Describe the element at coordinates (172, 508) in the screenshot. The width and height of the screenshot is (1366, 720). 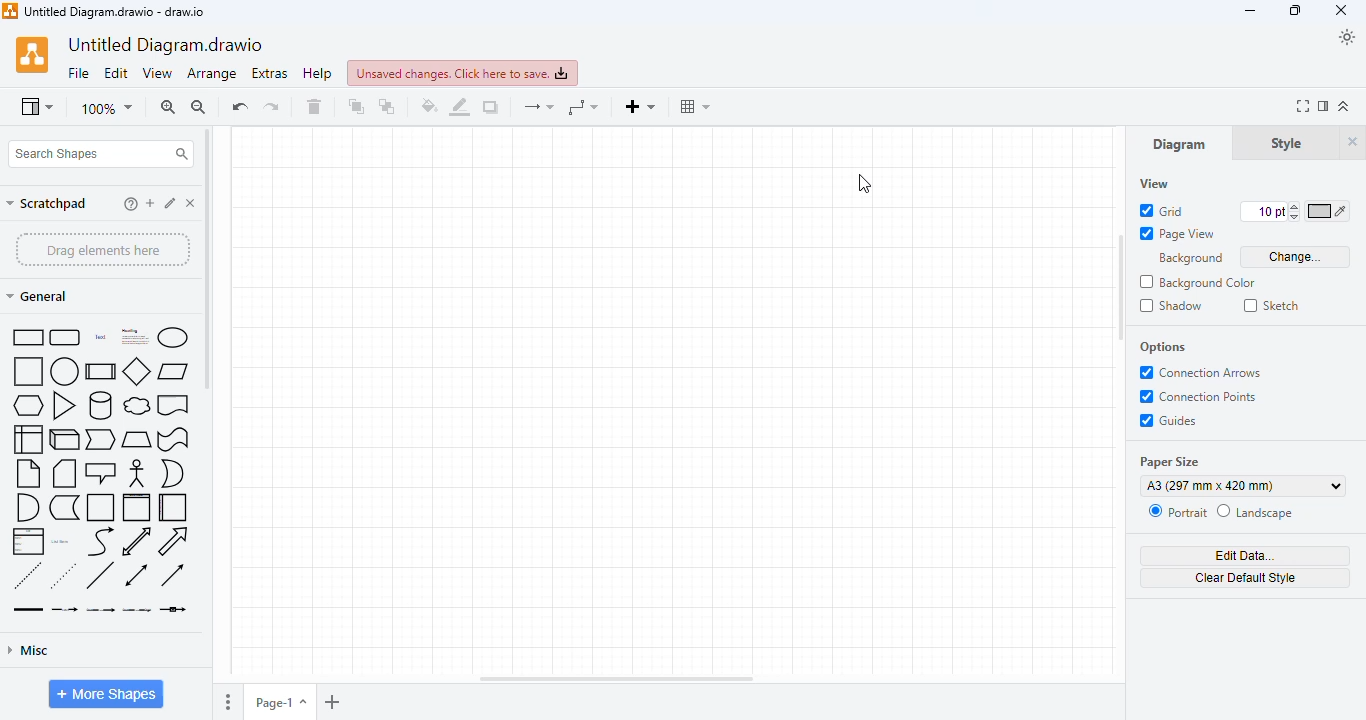
I see `horizontal container` at that location.